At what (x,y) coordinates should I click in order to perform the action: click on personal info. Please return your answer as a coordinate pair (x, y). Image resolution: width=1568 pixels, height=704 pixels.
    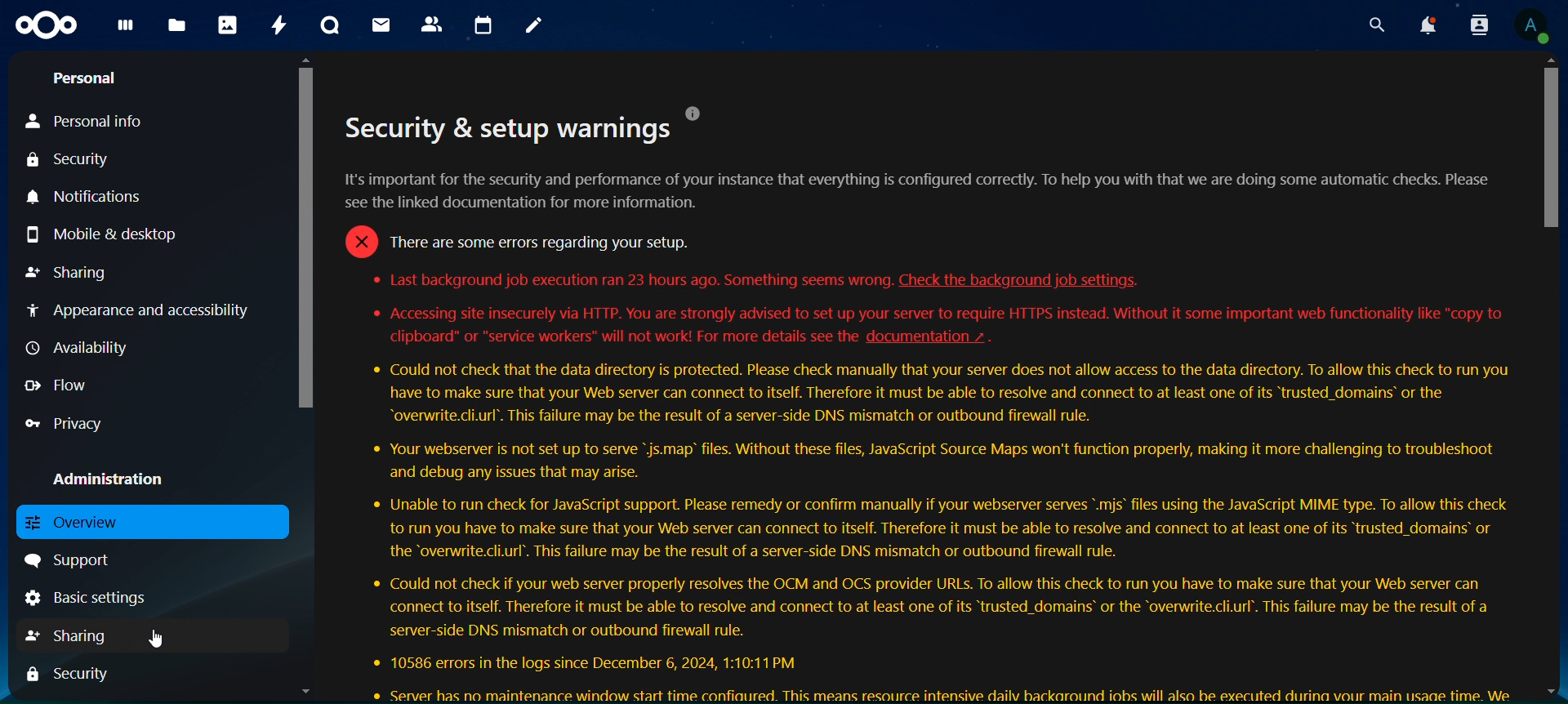
    Looking at the image, I should click on (87, 122).